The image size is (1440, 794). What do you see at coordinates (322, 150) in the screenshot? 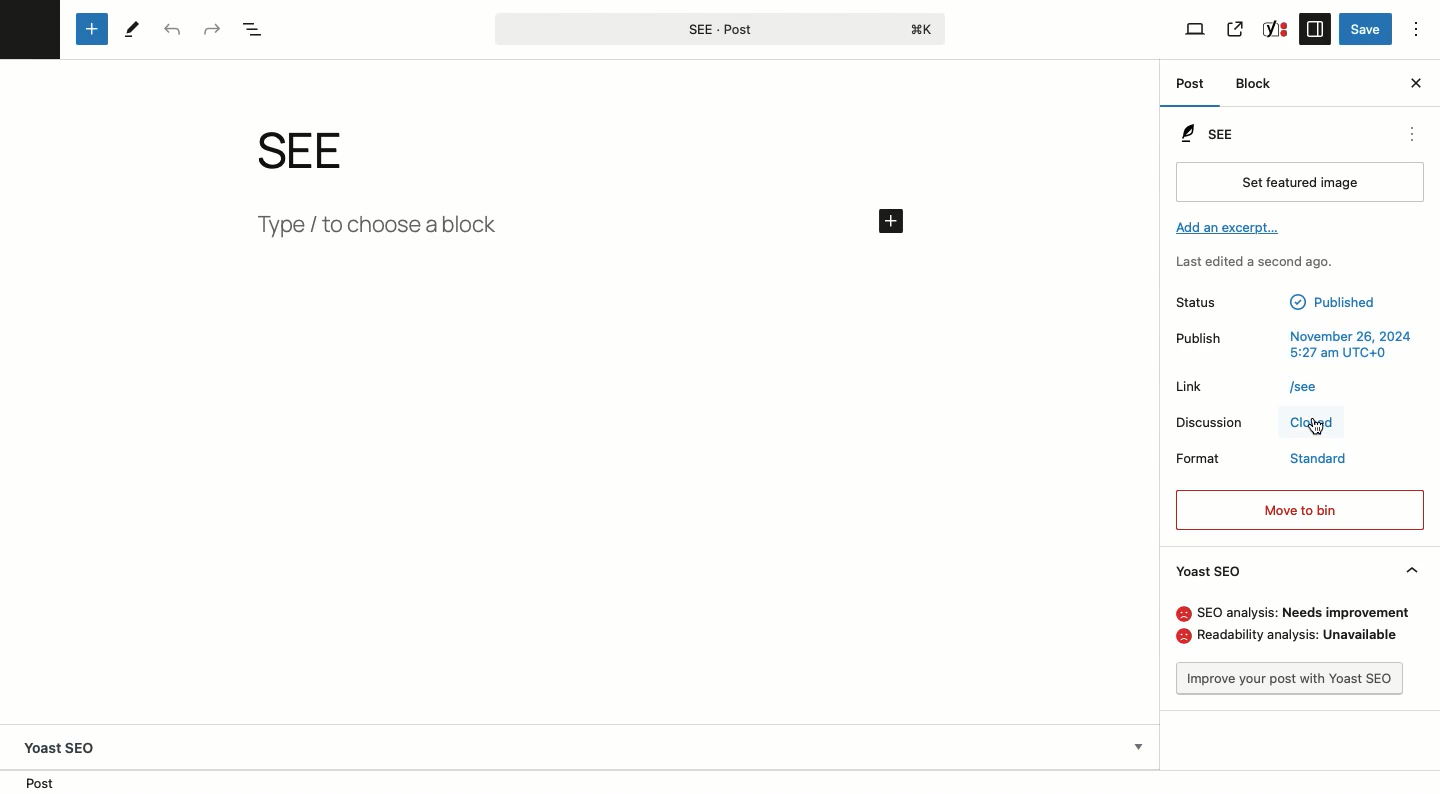
I see `see` at bounding box center [322, 150].